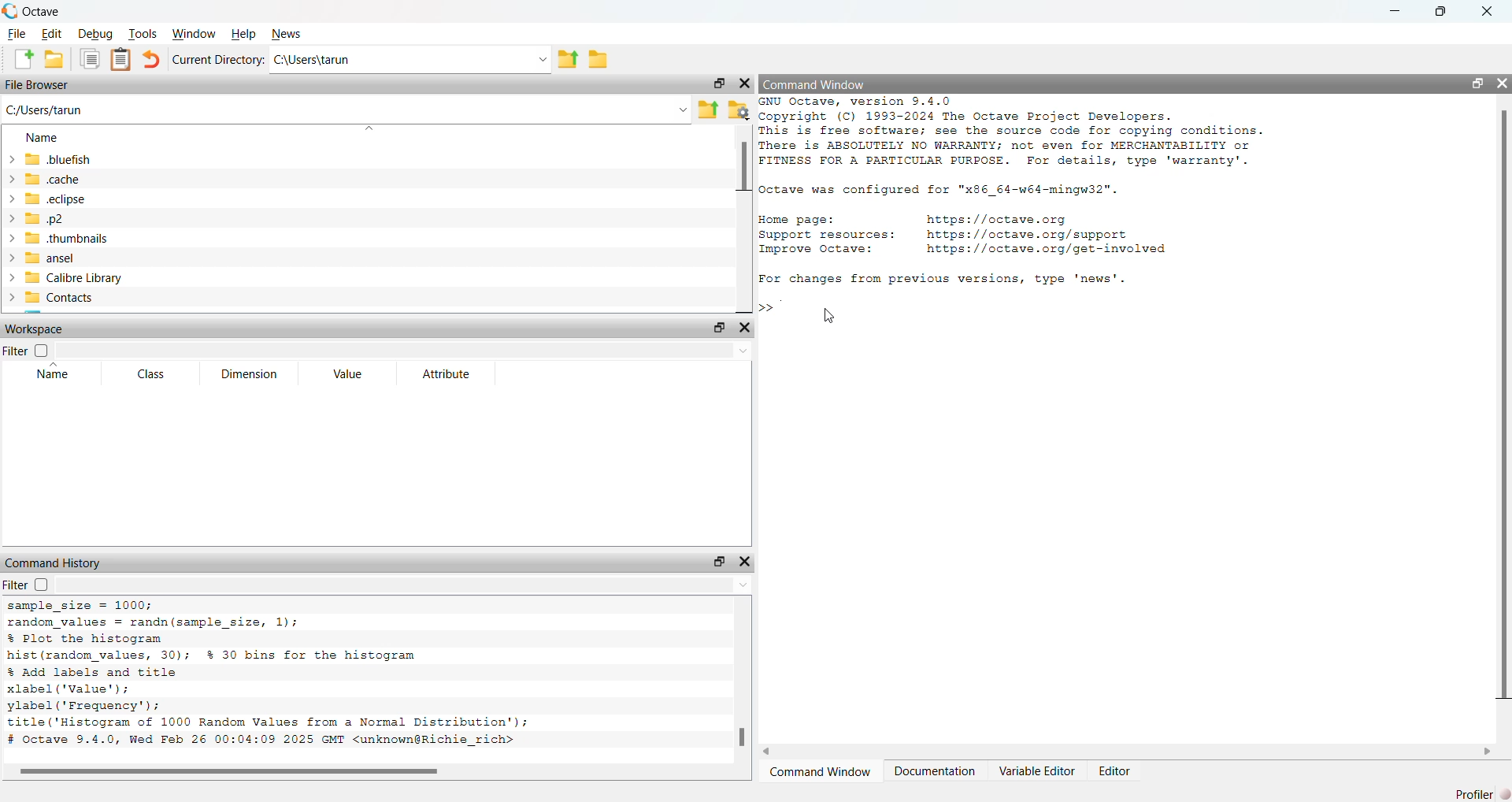 This screenshot has height=802, width=1512. I want to click on https://octave.org/get-involved, so click(1045, 249).